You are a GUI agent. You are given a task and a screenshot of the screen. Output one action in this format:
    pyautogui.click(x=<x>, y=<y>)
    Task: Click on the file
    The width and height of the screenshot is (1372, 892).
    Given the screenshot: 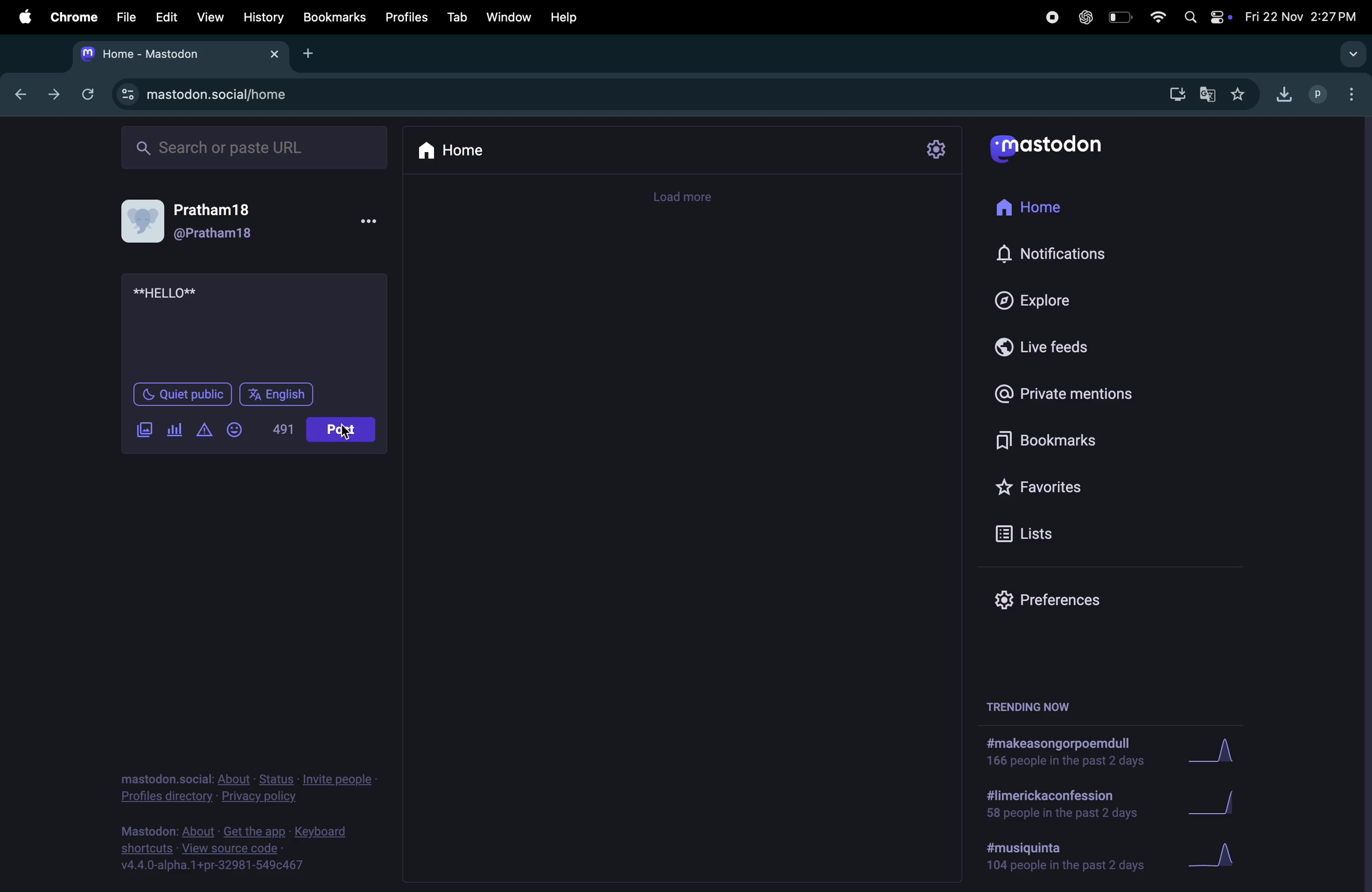 What is the action you would take?
    pyautogui.click(x=127, y=16)
    